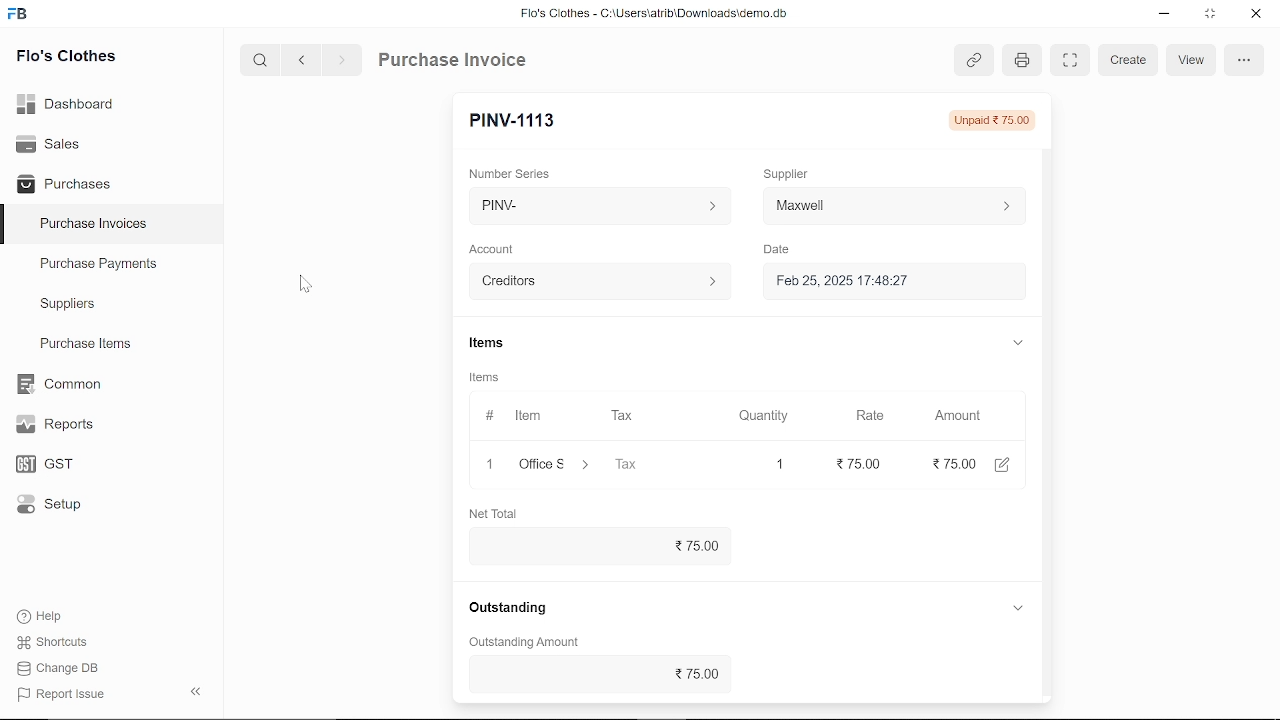 This screenshot has width=1280, height=720. I want to click on ‘Outstanding Amount, so click(518, 643).